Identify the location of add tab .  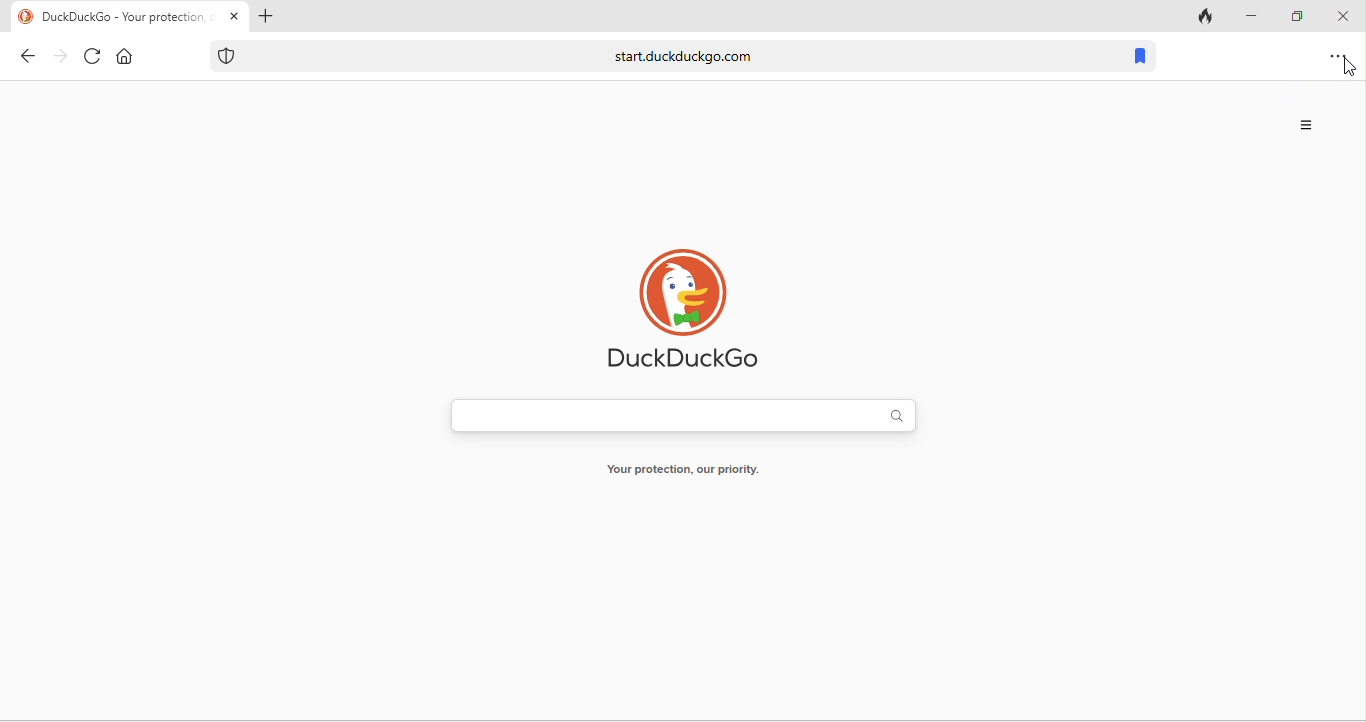
(269, 17).